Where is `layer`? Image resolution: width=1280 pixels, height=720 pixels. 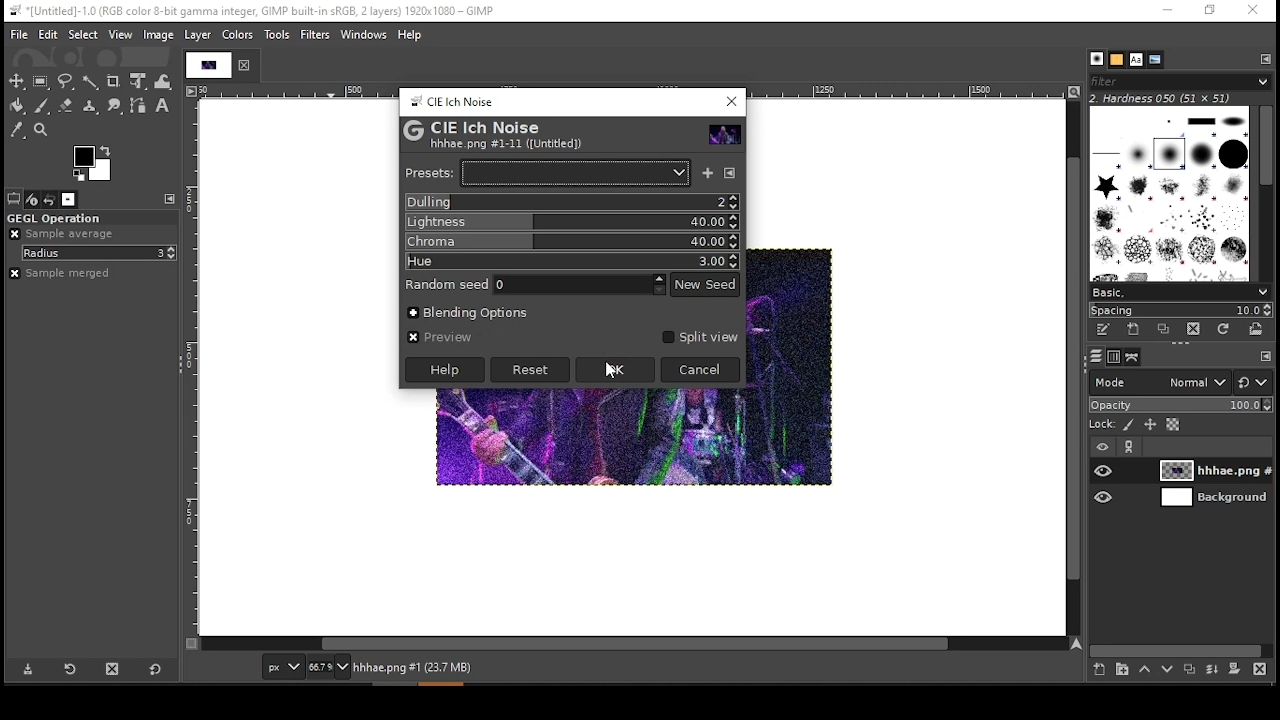 layer is located at coordinates (199, 36).